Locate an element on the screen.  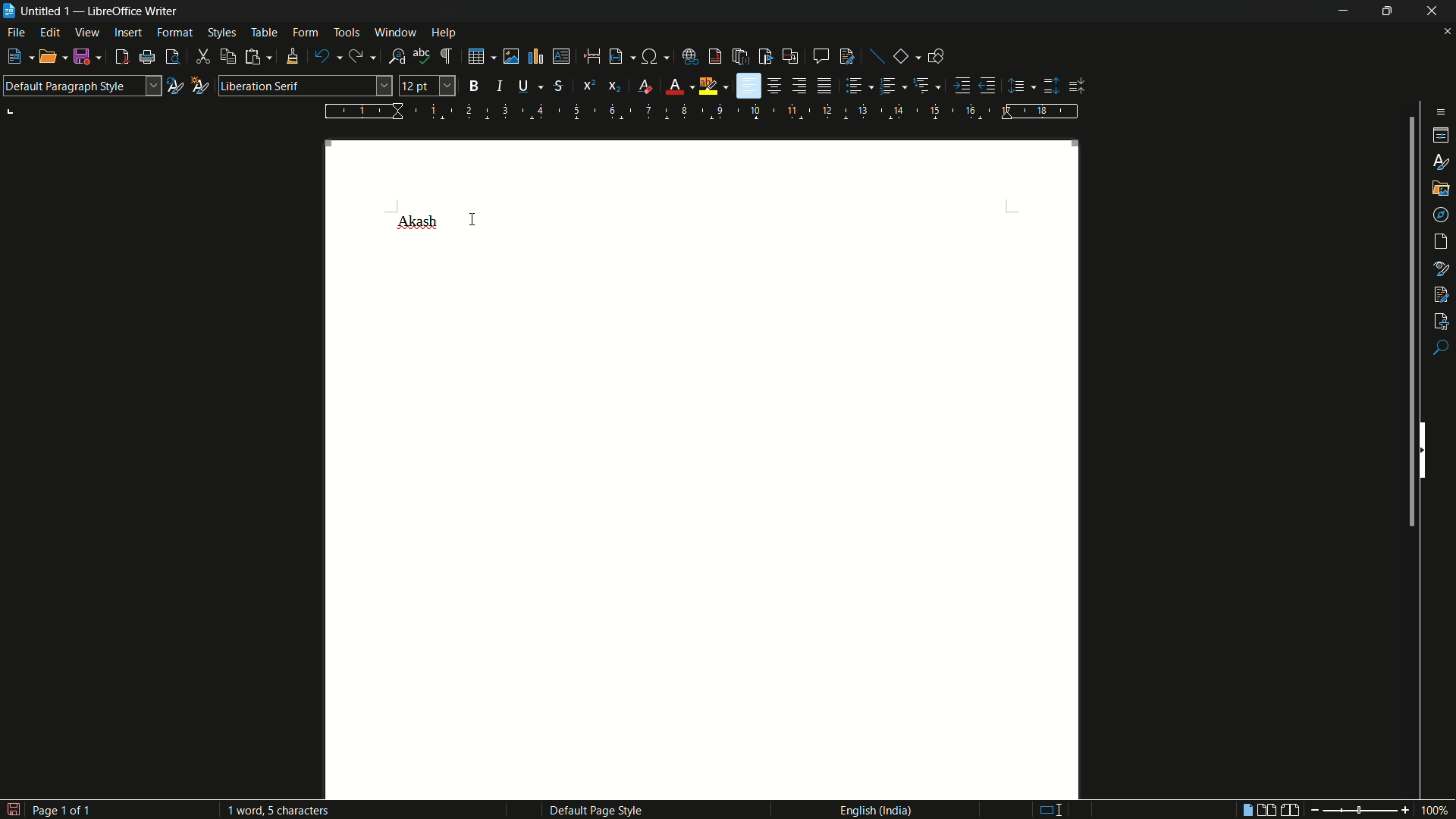
paragraph style is located at coordinates (81, 86).